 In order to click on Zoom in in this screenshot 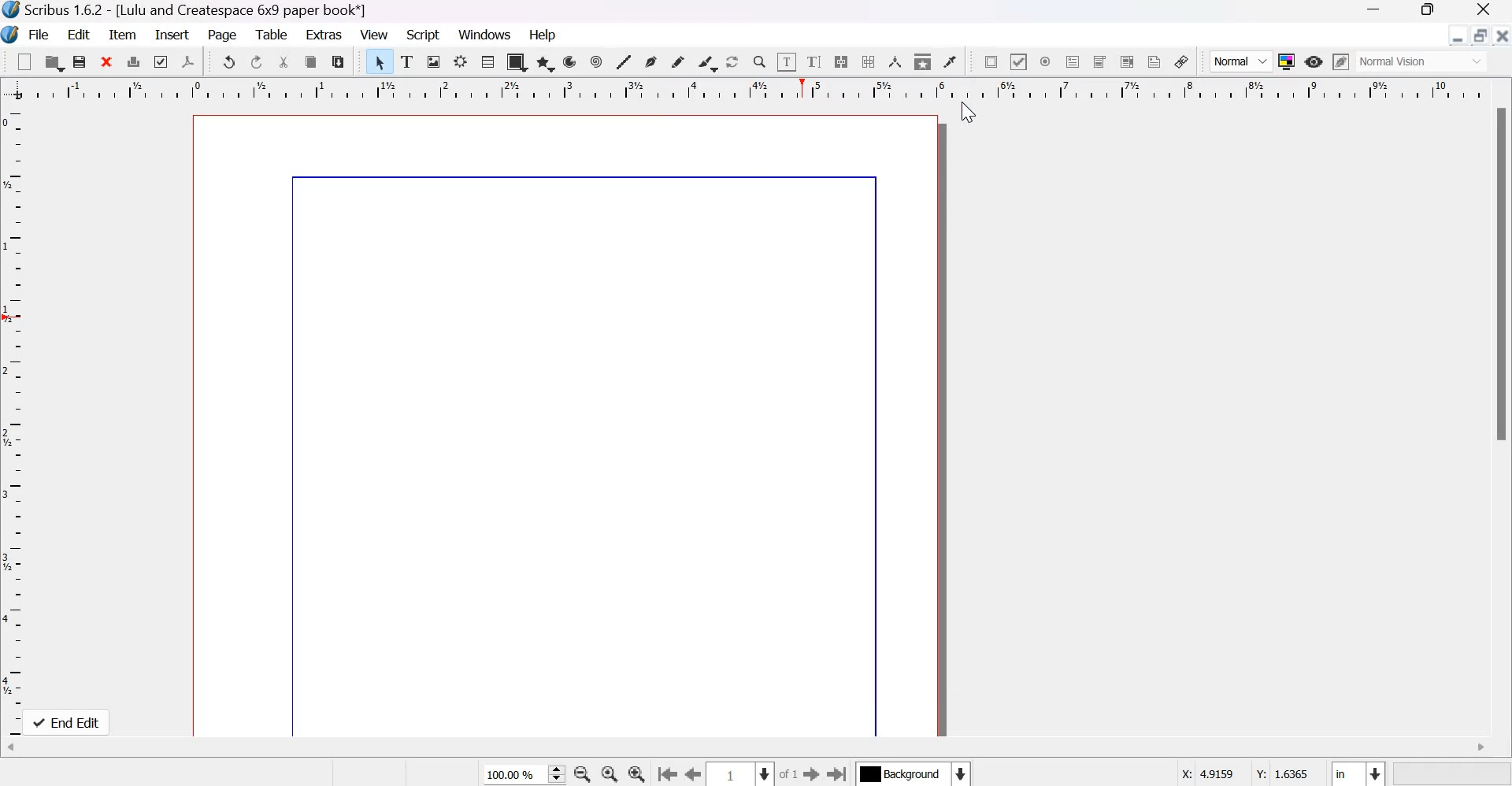, I will do `click(636, 773)`.